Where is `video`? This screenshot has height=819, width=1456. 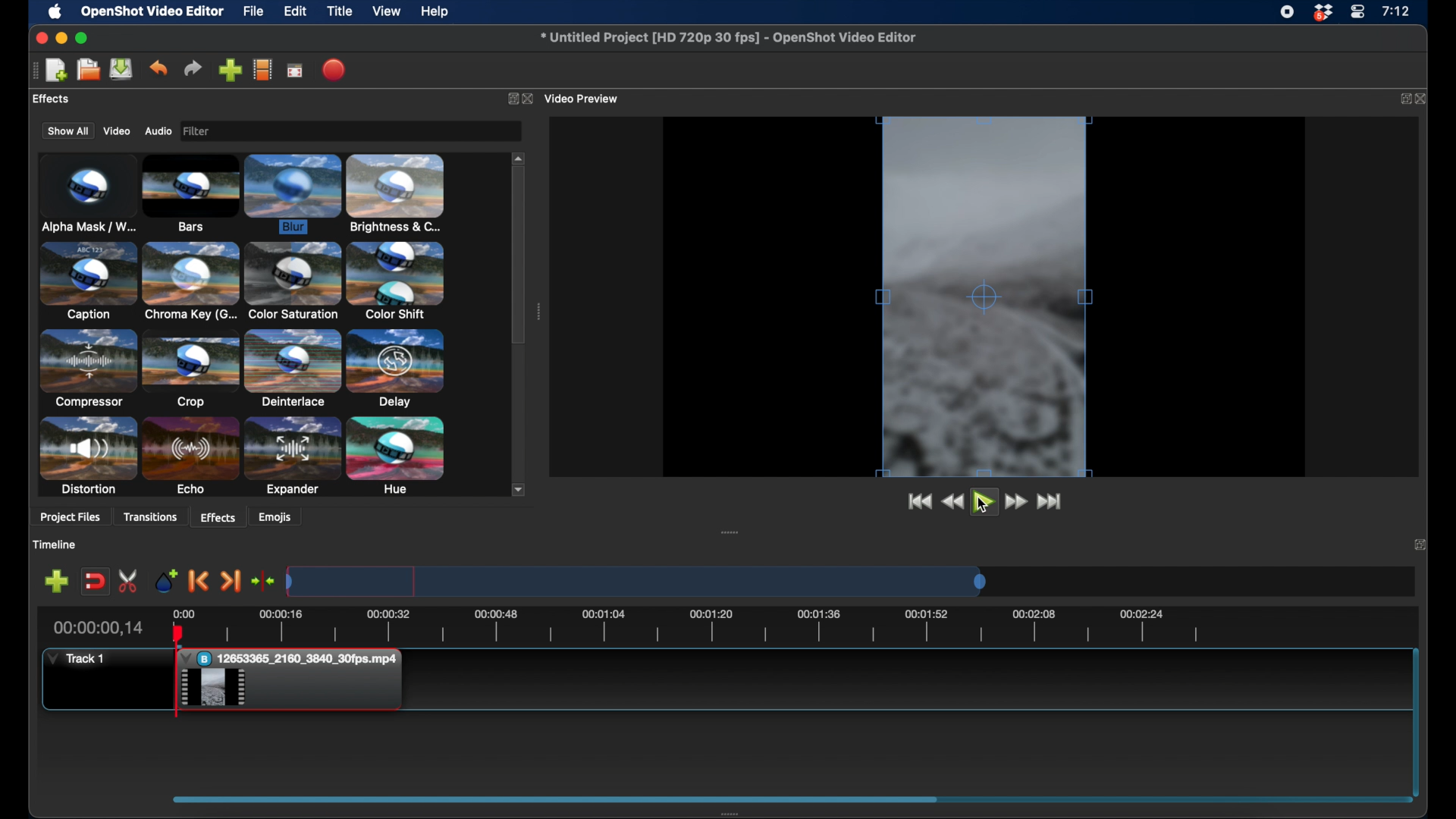 video is located at coordinates (115, 131).